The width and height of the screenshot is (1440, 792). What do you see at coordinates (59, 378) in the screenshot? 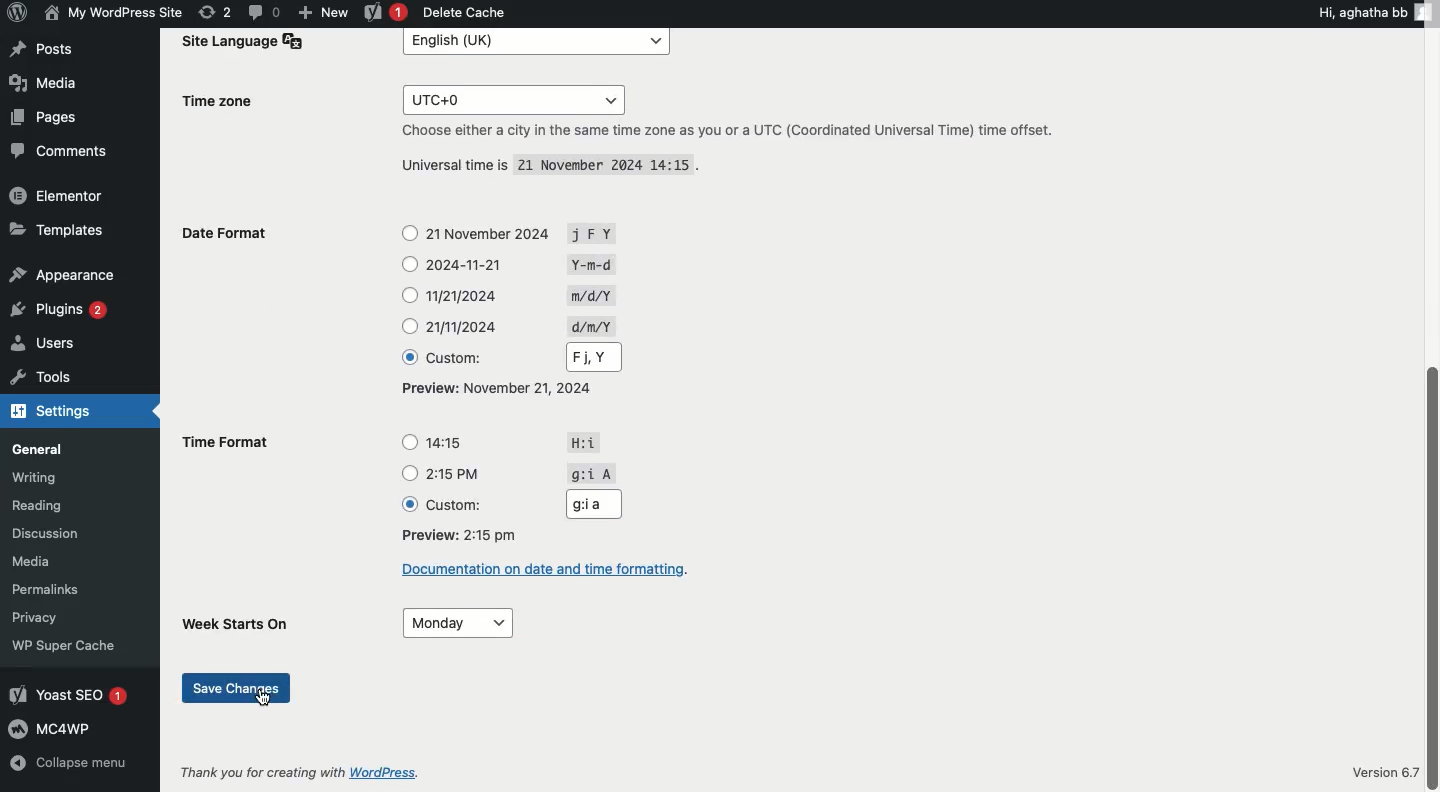
I see `Tools` at bounding box center [59, 378].